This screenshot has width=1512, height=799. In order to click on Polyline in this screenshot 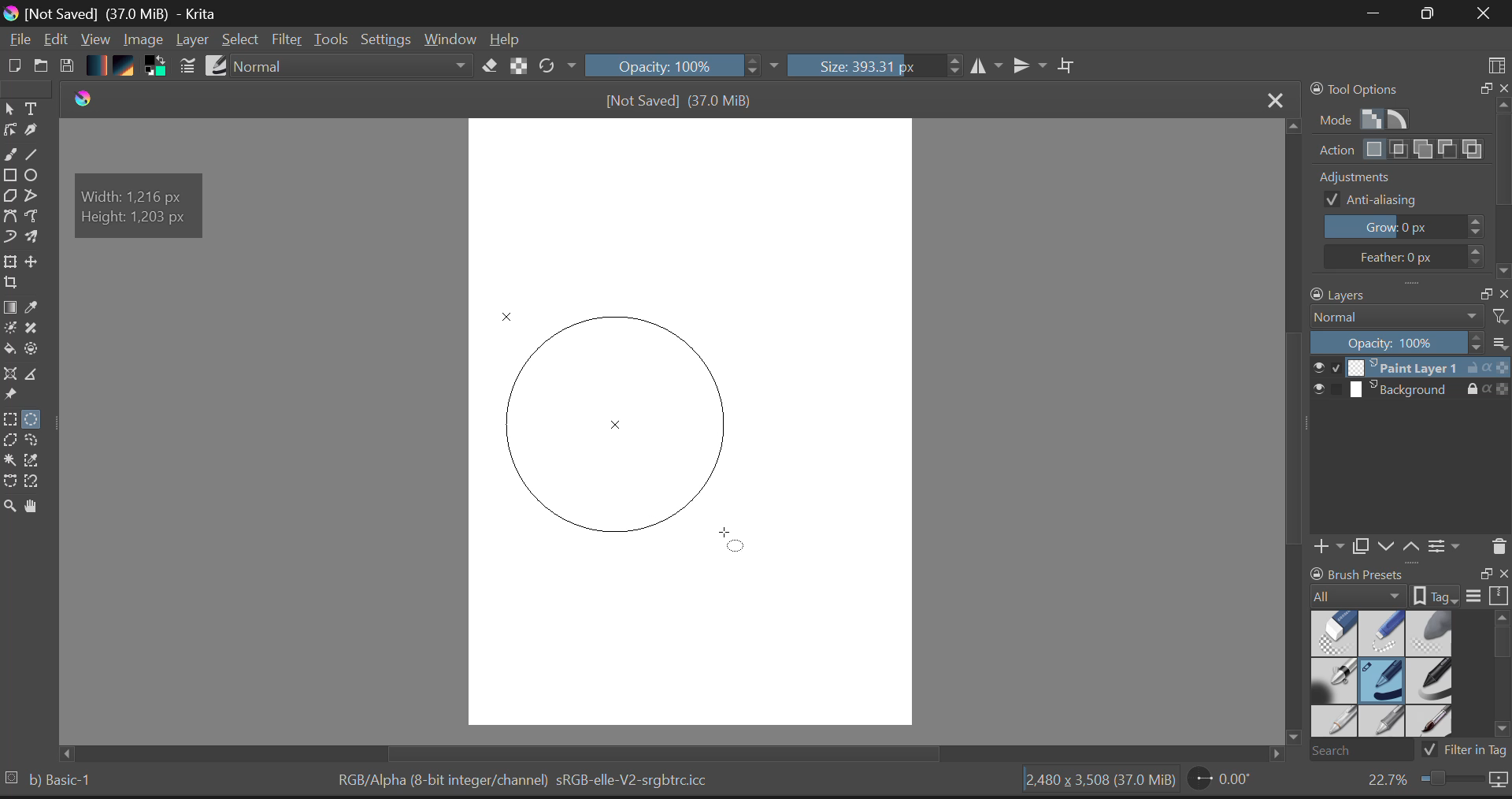, I will do `click(35, 199)`.